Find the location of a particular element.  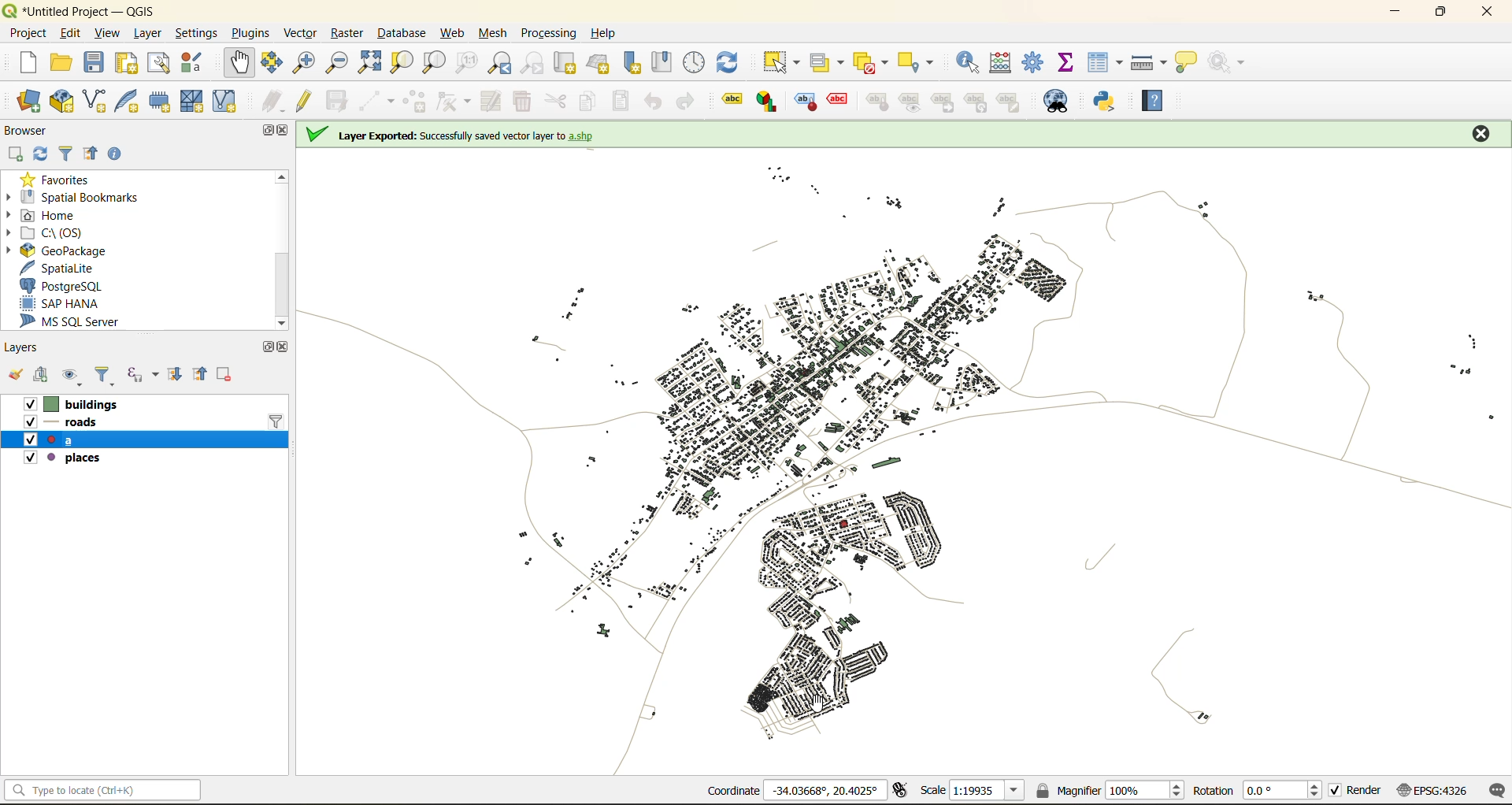

zoom last is located at coordinates (502, 62).